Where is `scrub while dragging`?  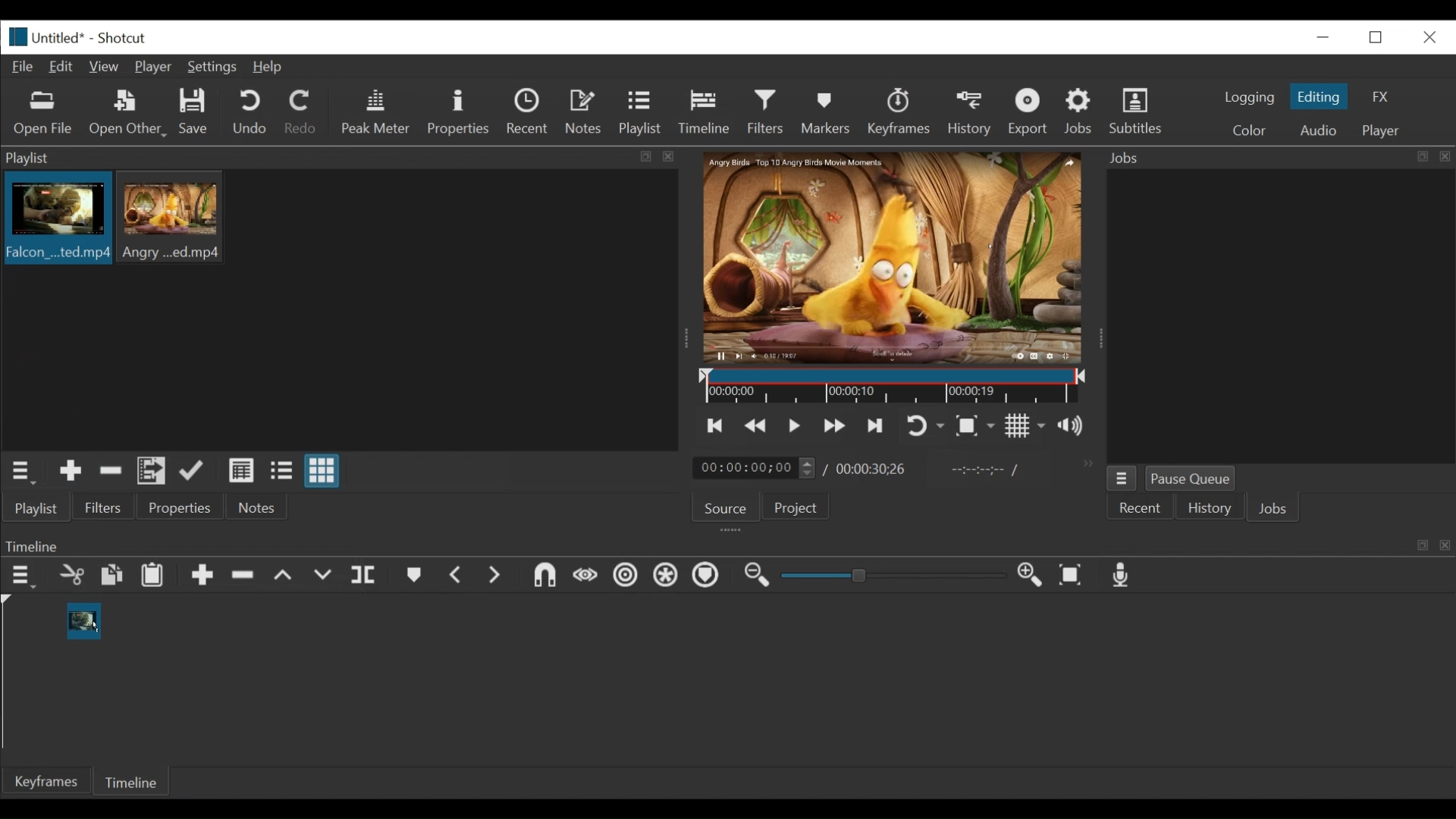
scrub while dragging is located at coordinates (586, 576).